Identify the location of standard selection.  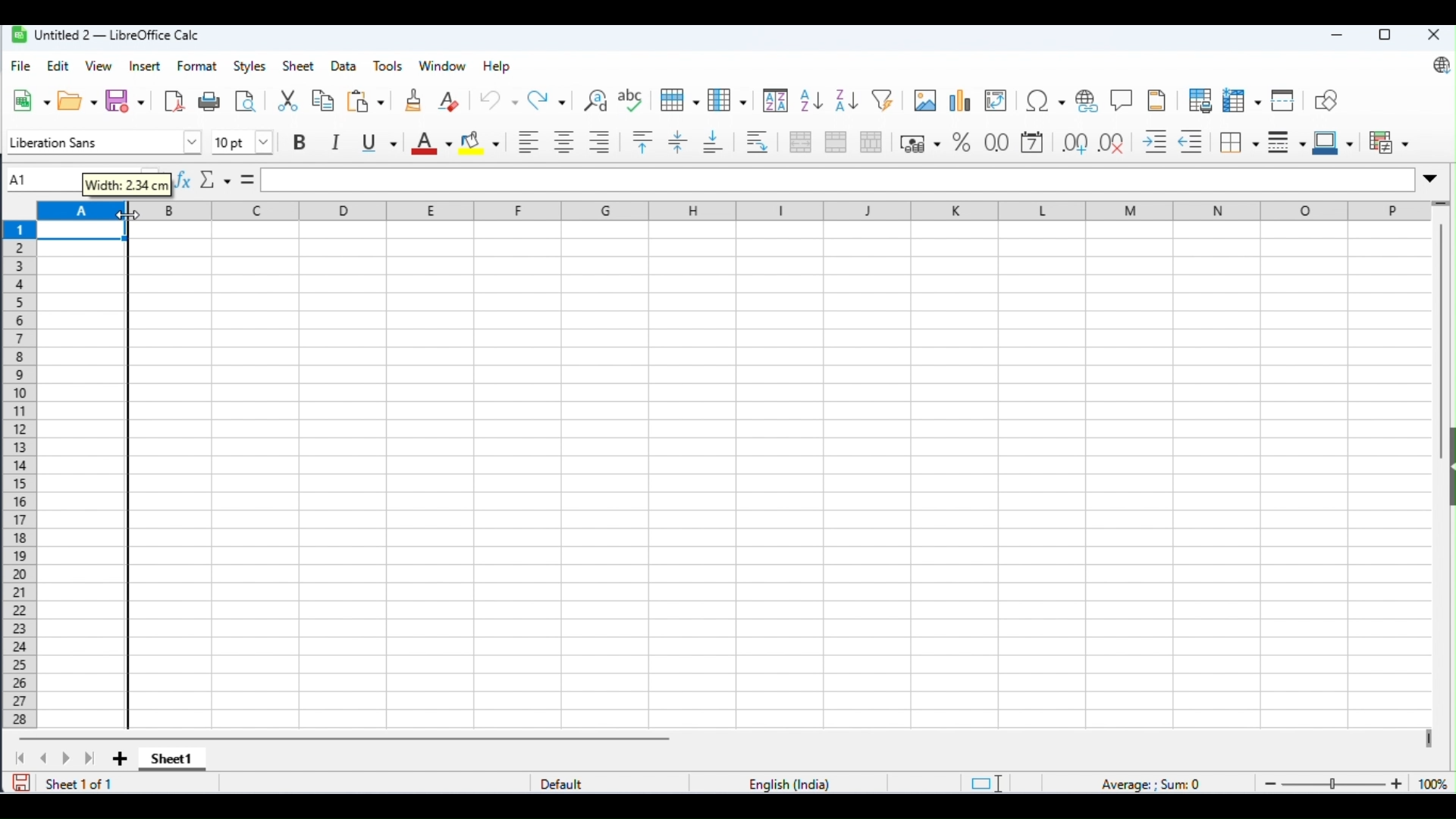
(986, 783).